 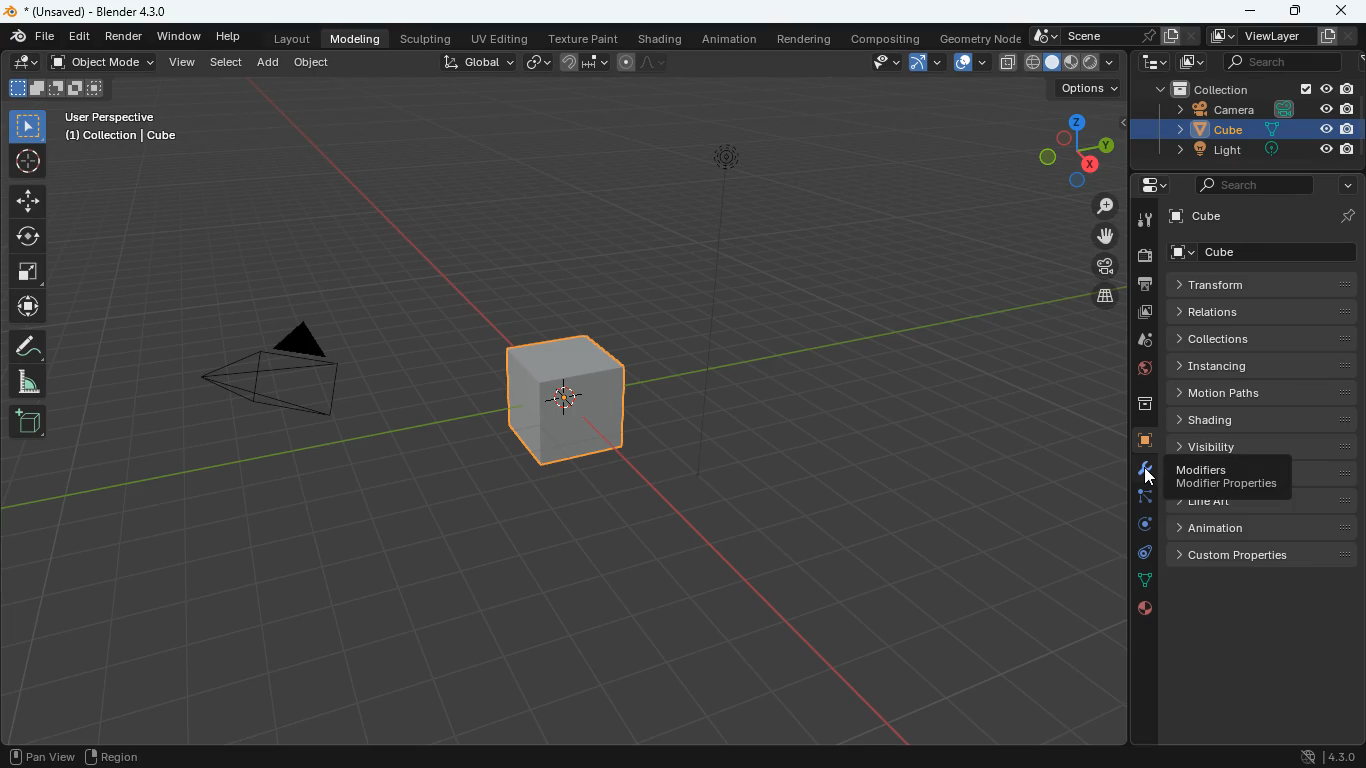 What do you see at coordinates (105, 64) in the screenshot?
I see `object mode` at bounding box center [105, 64].